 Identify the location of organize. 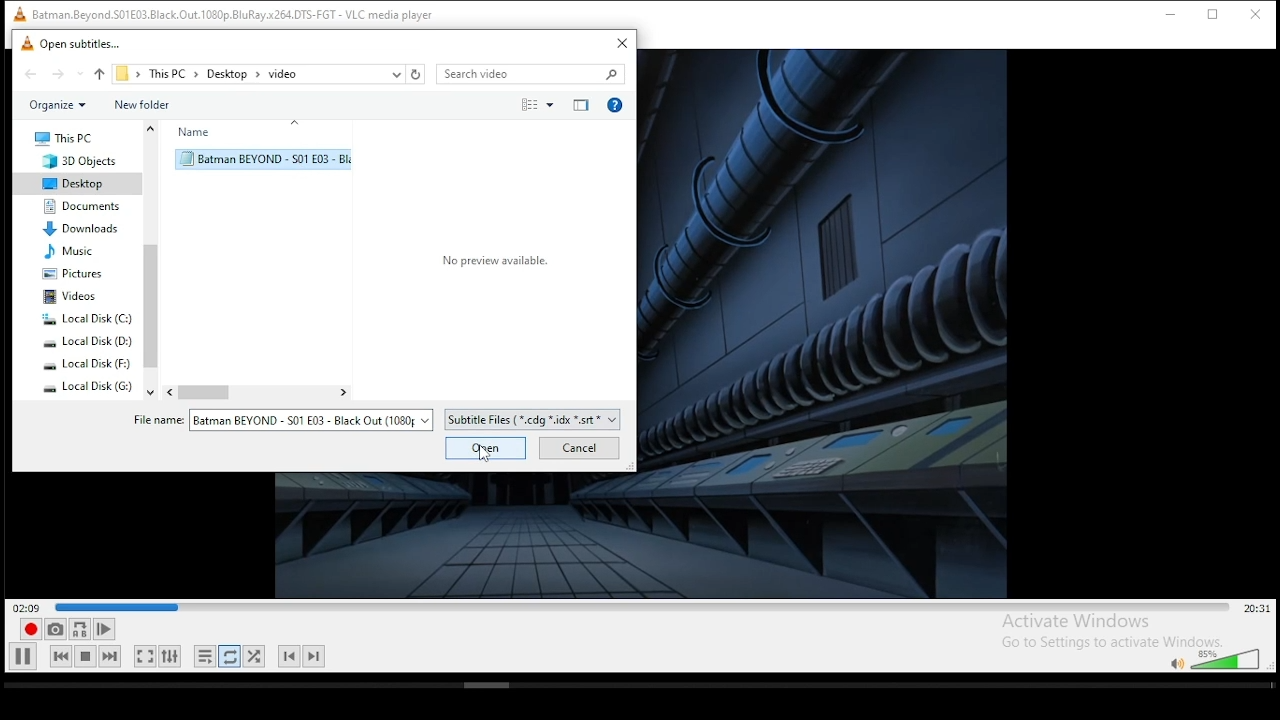
(56, 104).